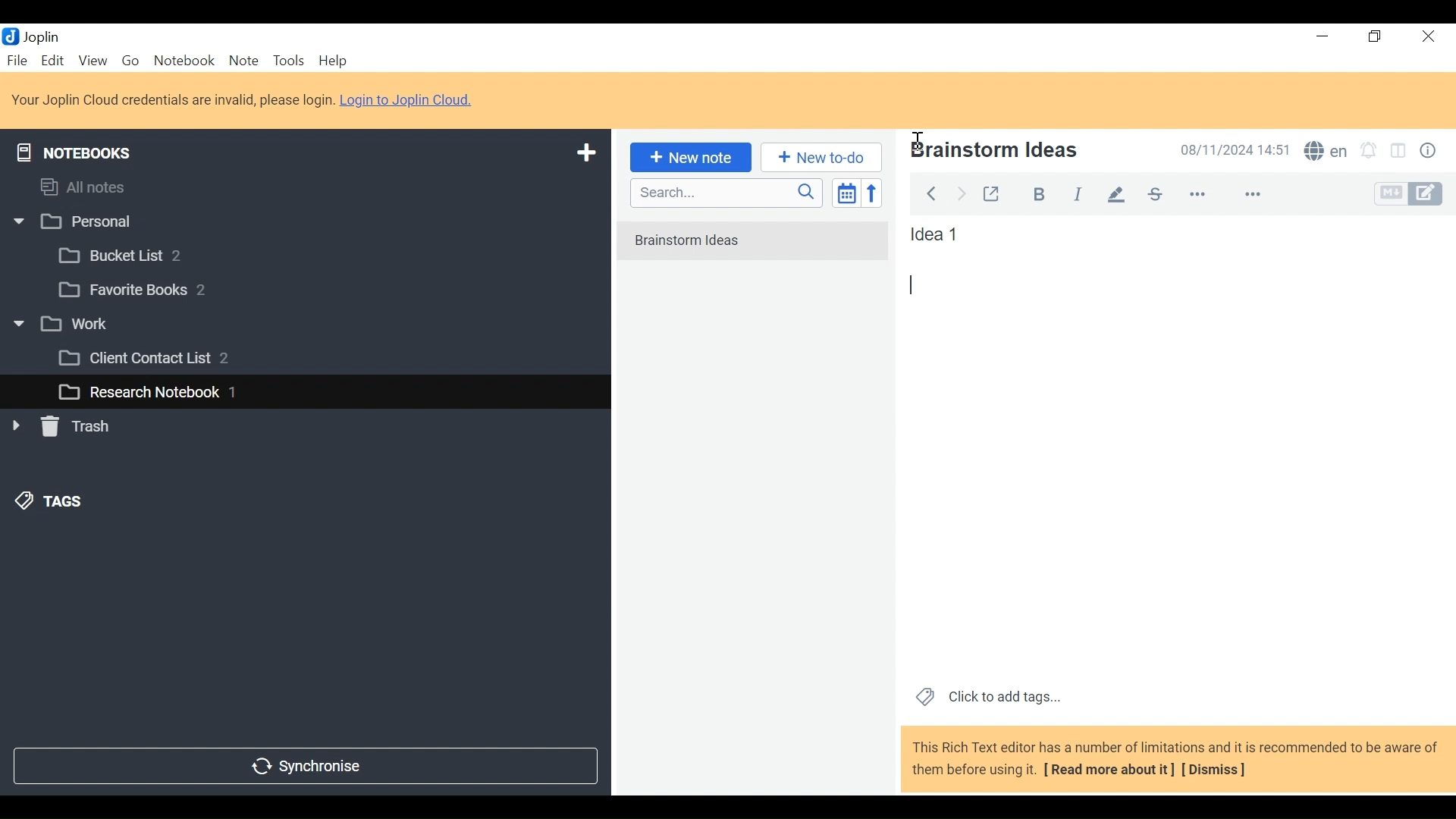 The width and height of the screenshot is (1456, 819). What do you see at coordinates (1410, 194) in the screenshot?
I see `Toggle Editor` at bounding box center [1410, 194].